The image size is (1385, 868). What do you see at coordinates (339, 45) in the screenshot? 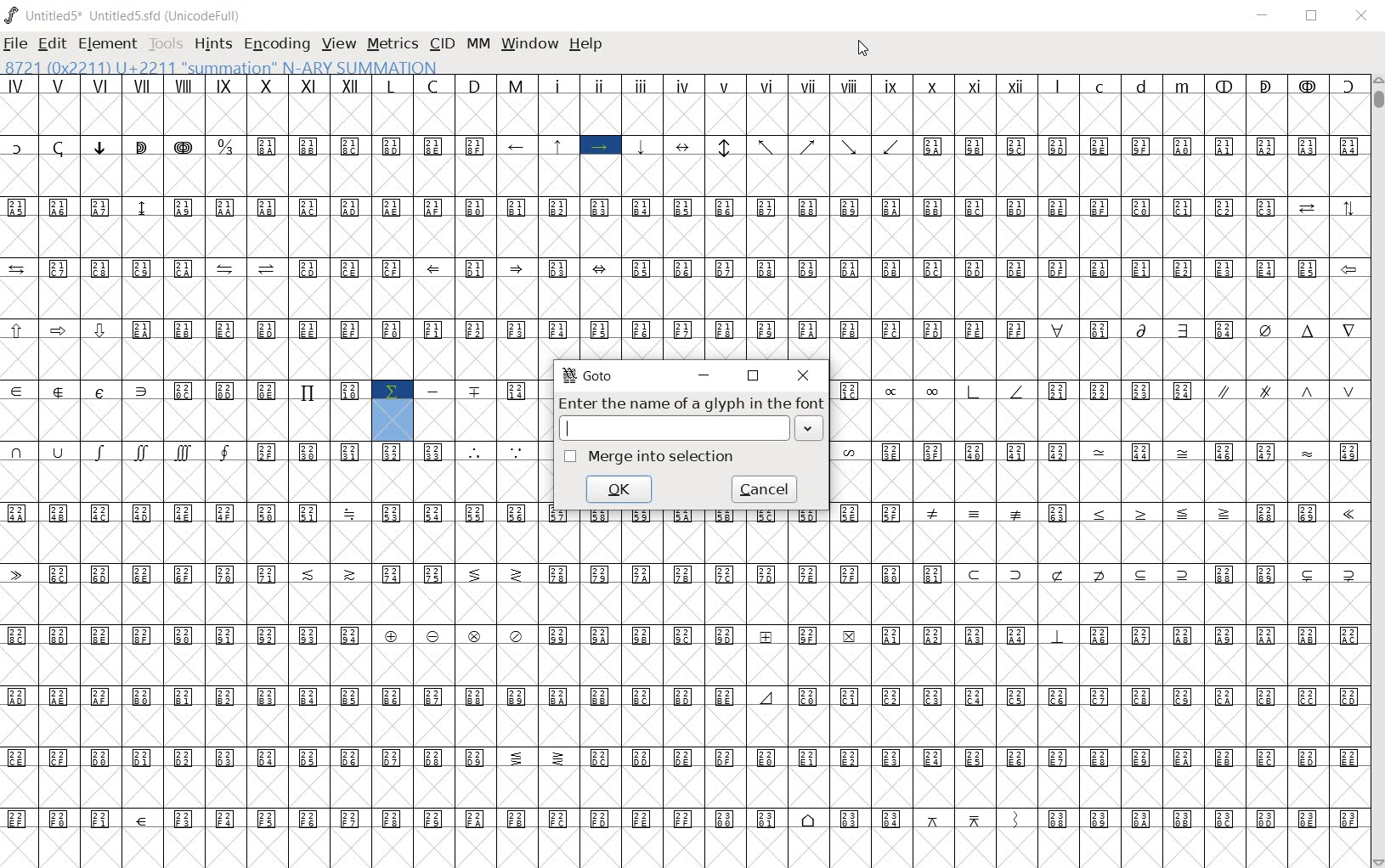
I see `VIEW` at bounding box center [339, 45].